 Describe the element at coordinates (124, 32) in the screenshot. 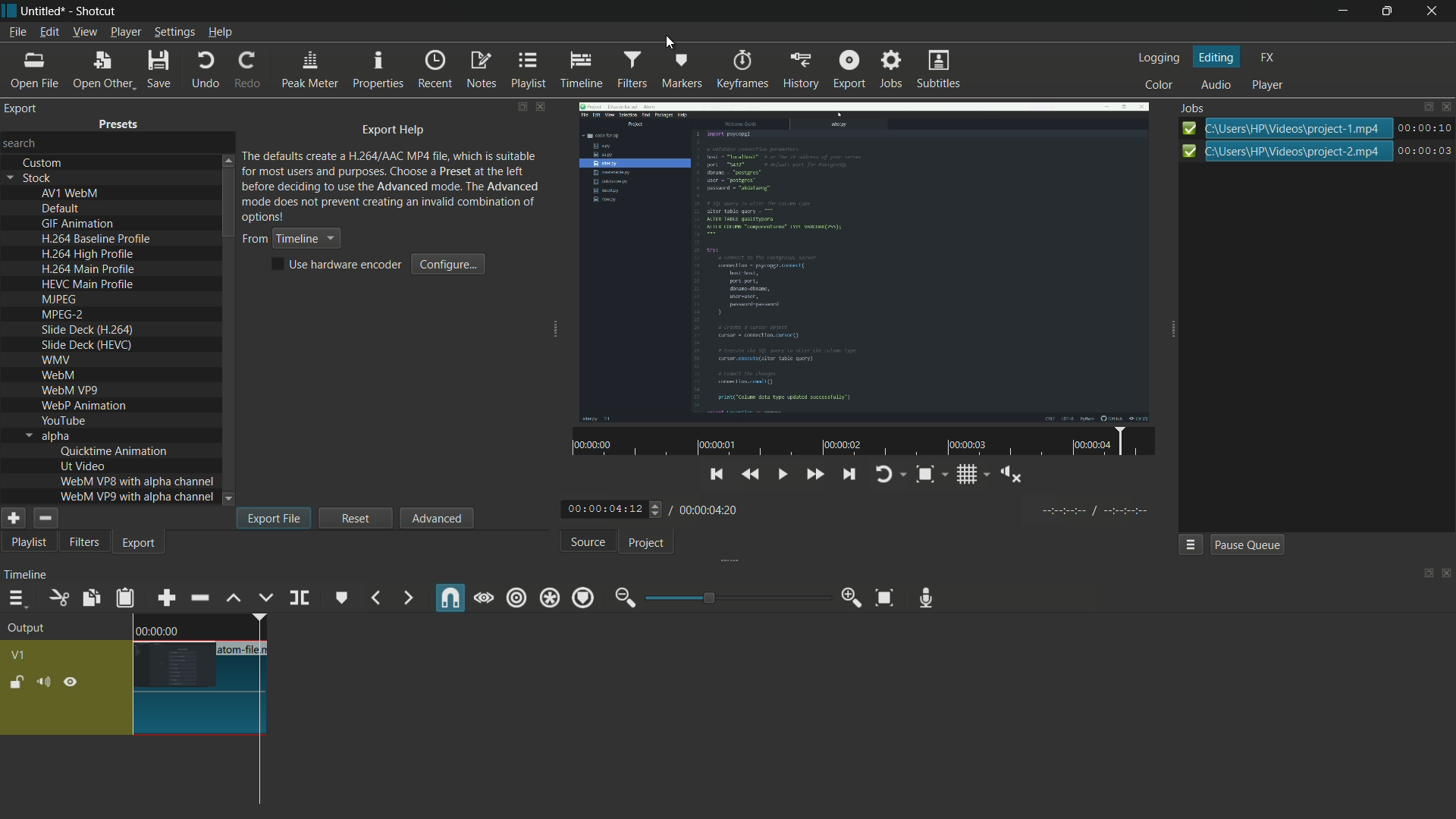

I see `player menu` at that location.